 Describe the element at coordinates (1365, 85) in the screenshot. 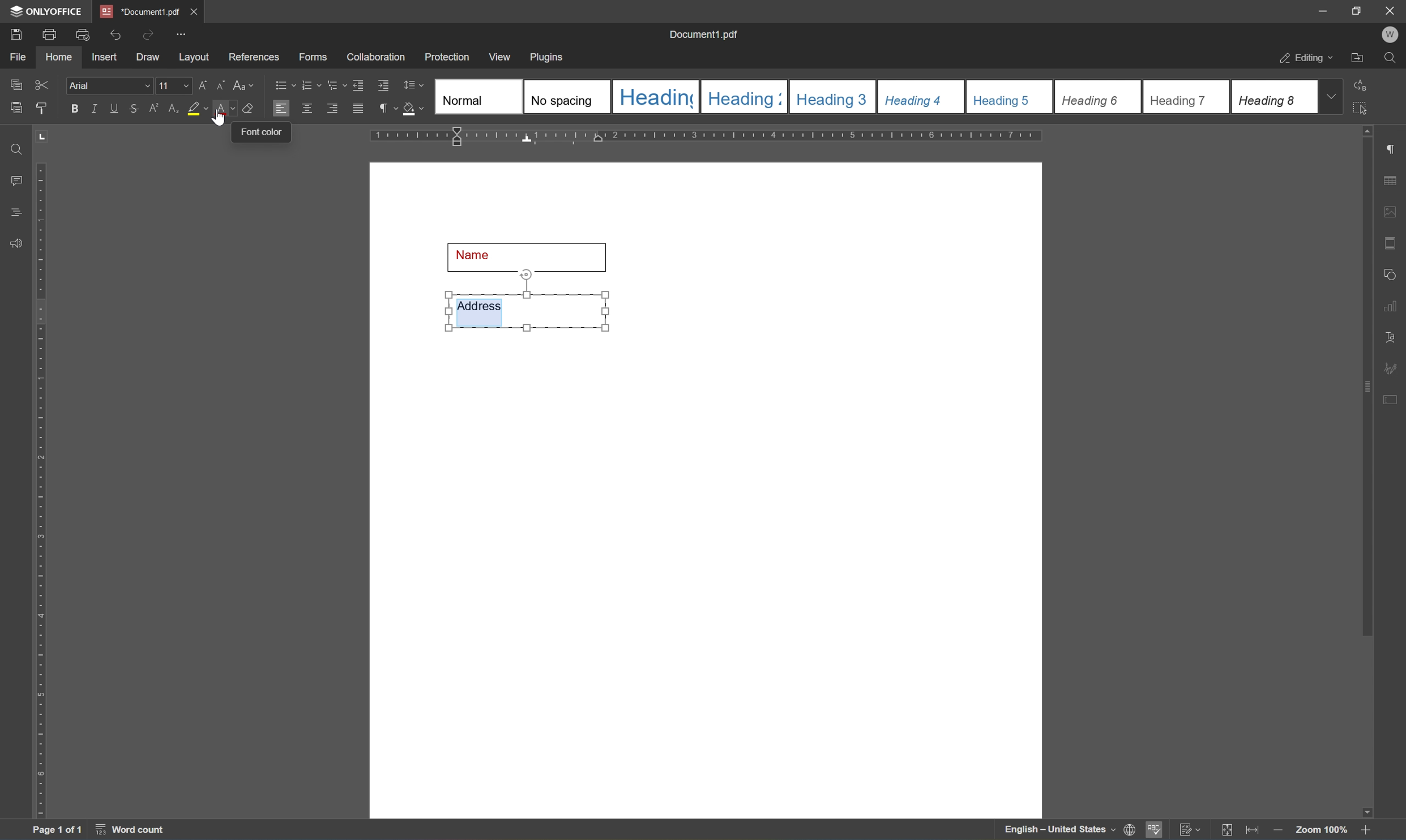

I see `replace` at that location.